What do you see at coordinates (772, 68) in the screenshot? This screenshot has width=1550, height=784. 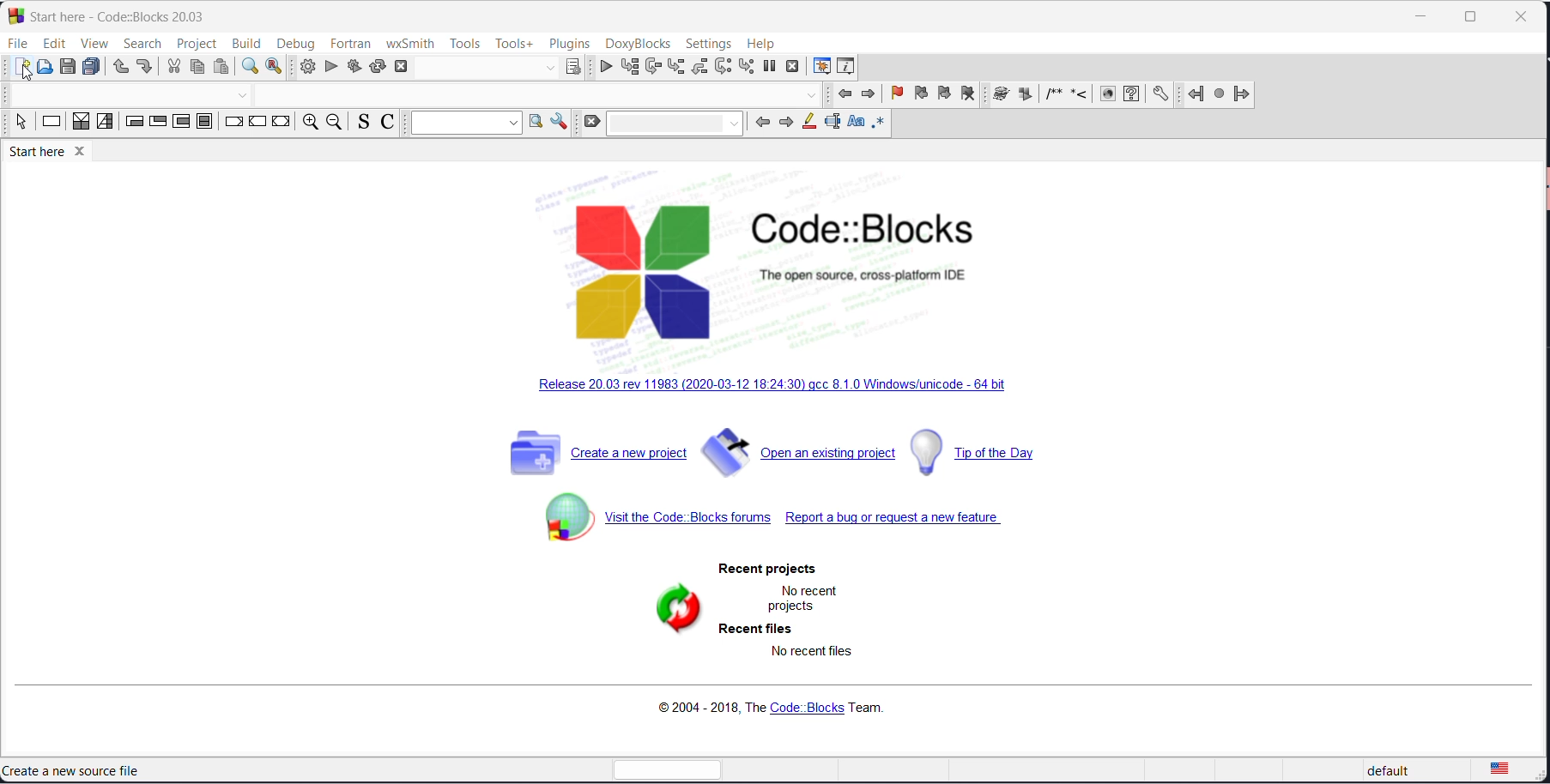 I see `break debugging` at bounding box center [772, 68].